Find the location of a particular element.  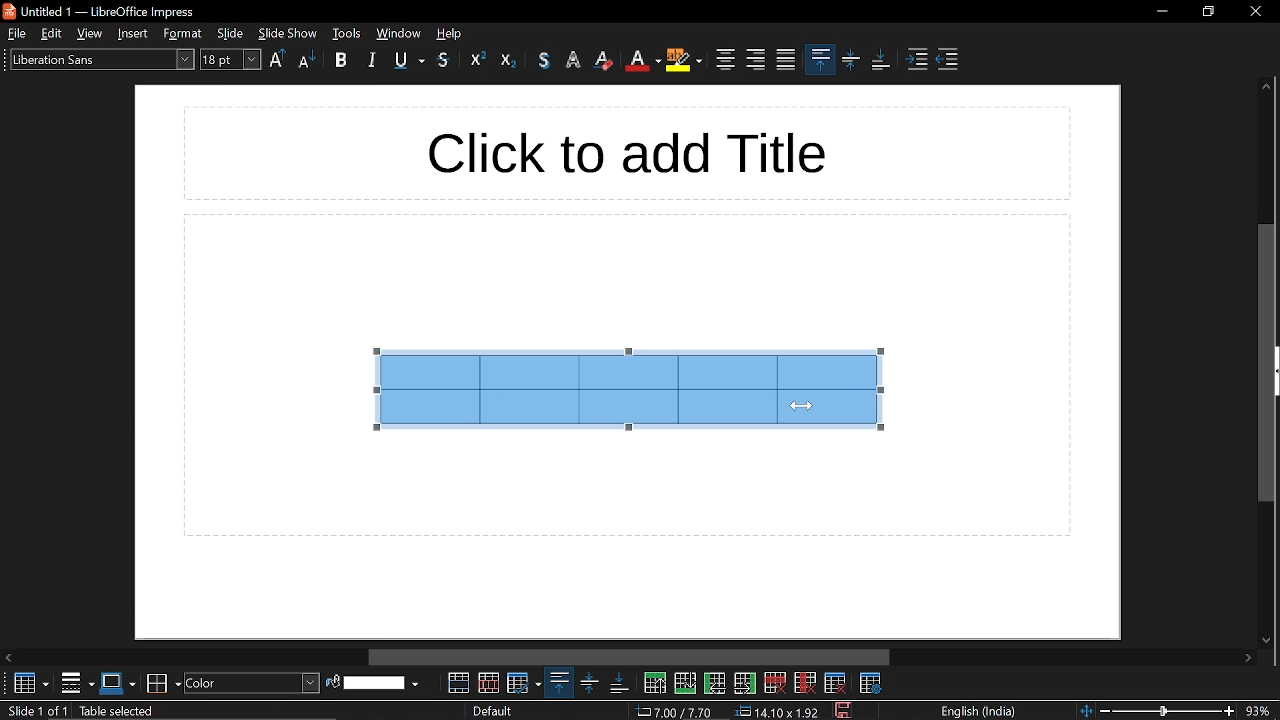

outline is located at coordinates (478, 59).